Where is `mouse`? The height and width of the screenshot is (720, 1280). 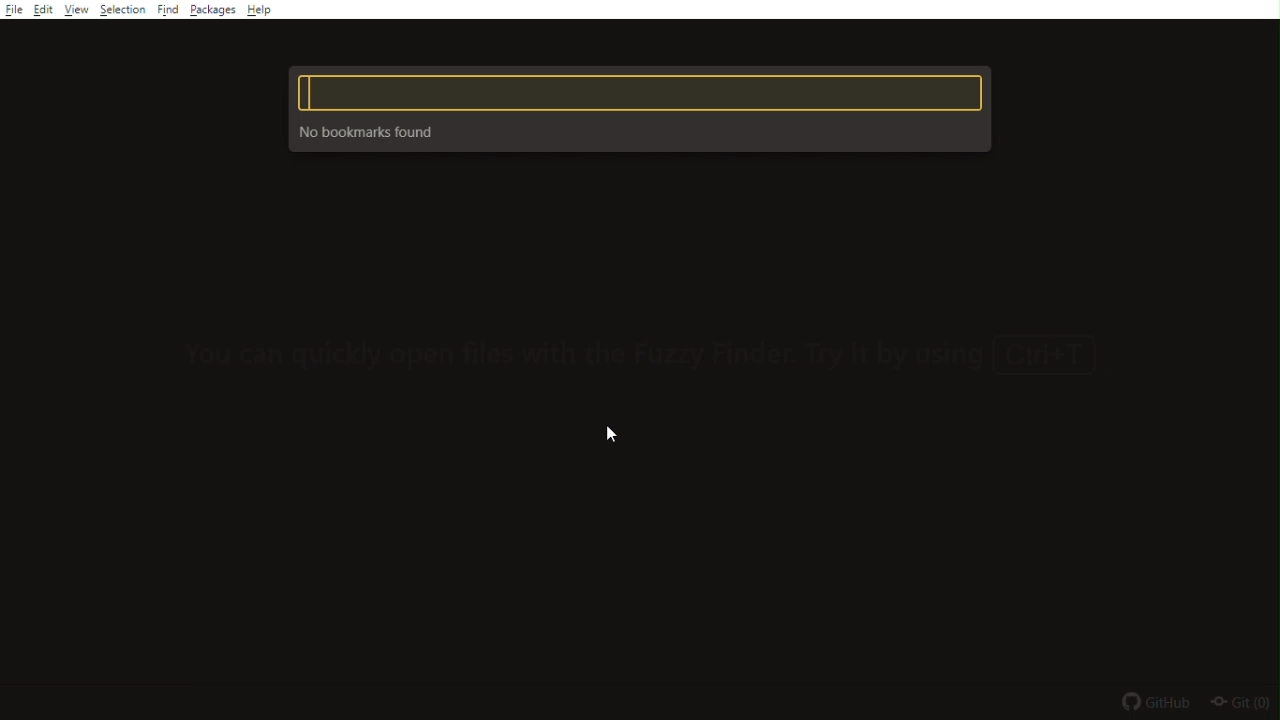 mouse is located at coordinates (611, 437).